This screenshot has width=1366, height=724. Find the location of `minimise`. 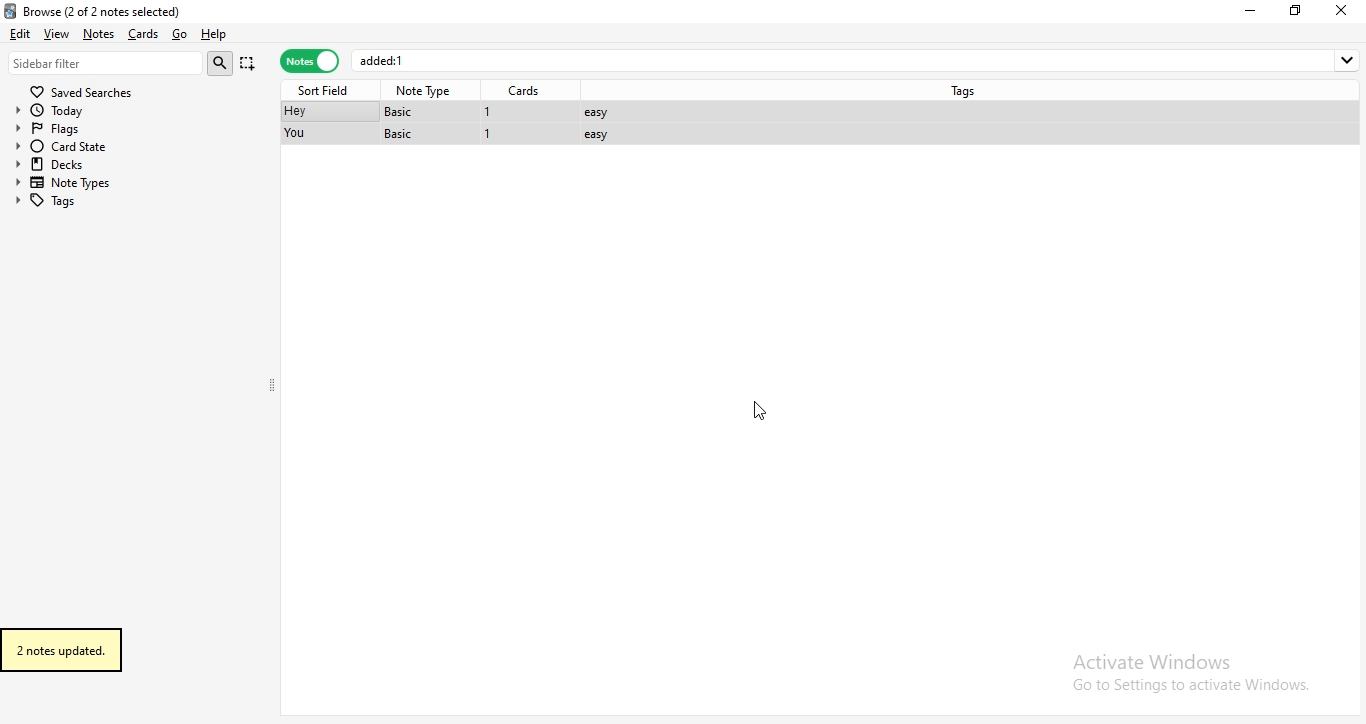

minimise is located at coordinates (1254, 10).